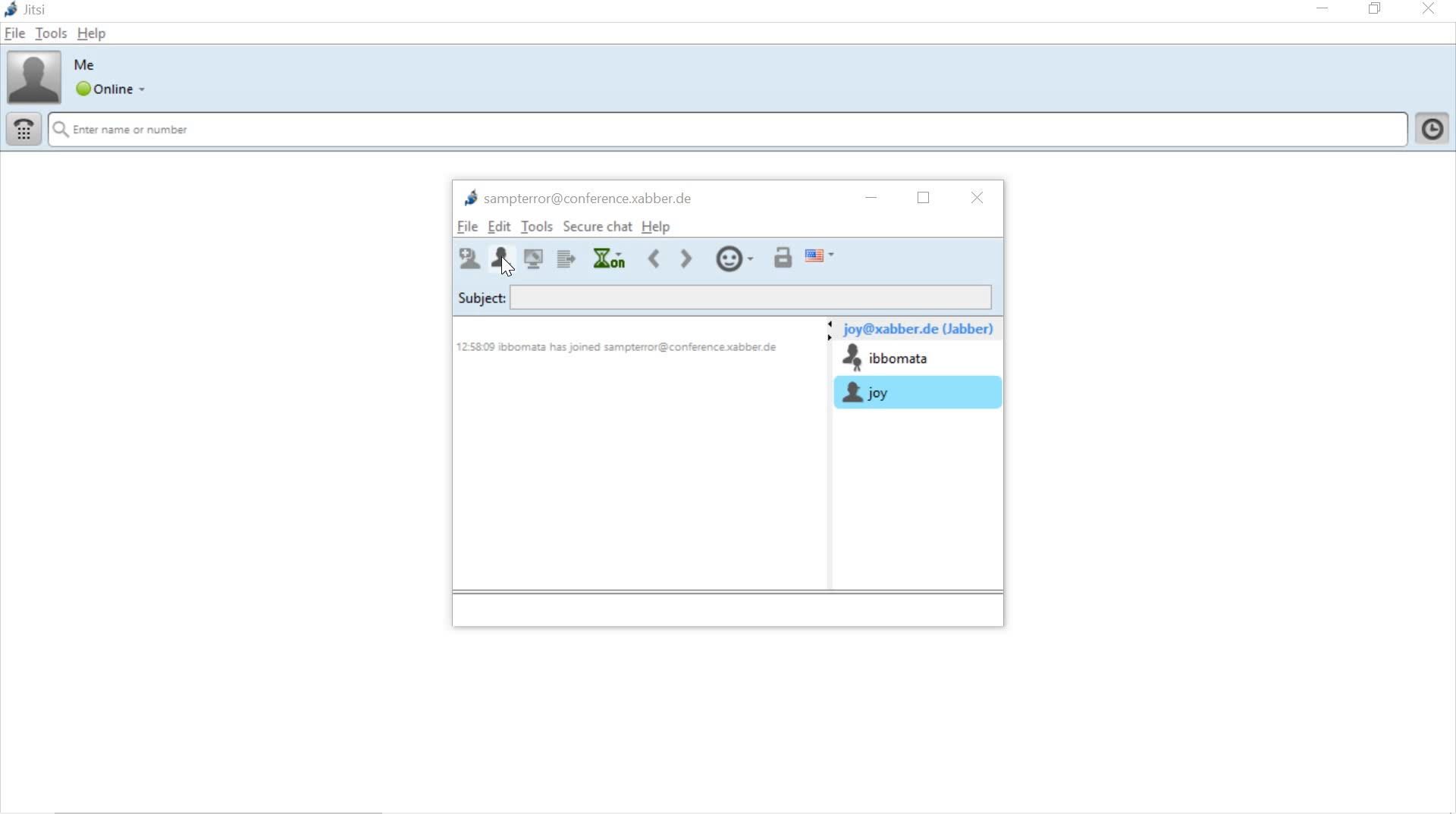 The height and width of the screenshot is (814, 1456). Describe the element at coordinates (500, 226) in the screenshot. I see `edit` at that location.